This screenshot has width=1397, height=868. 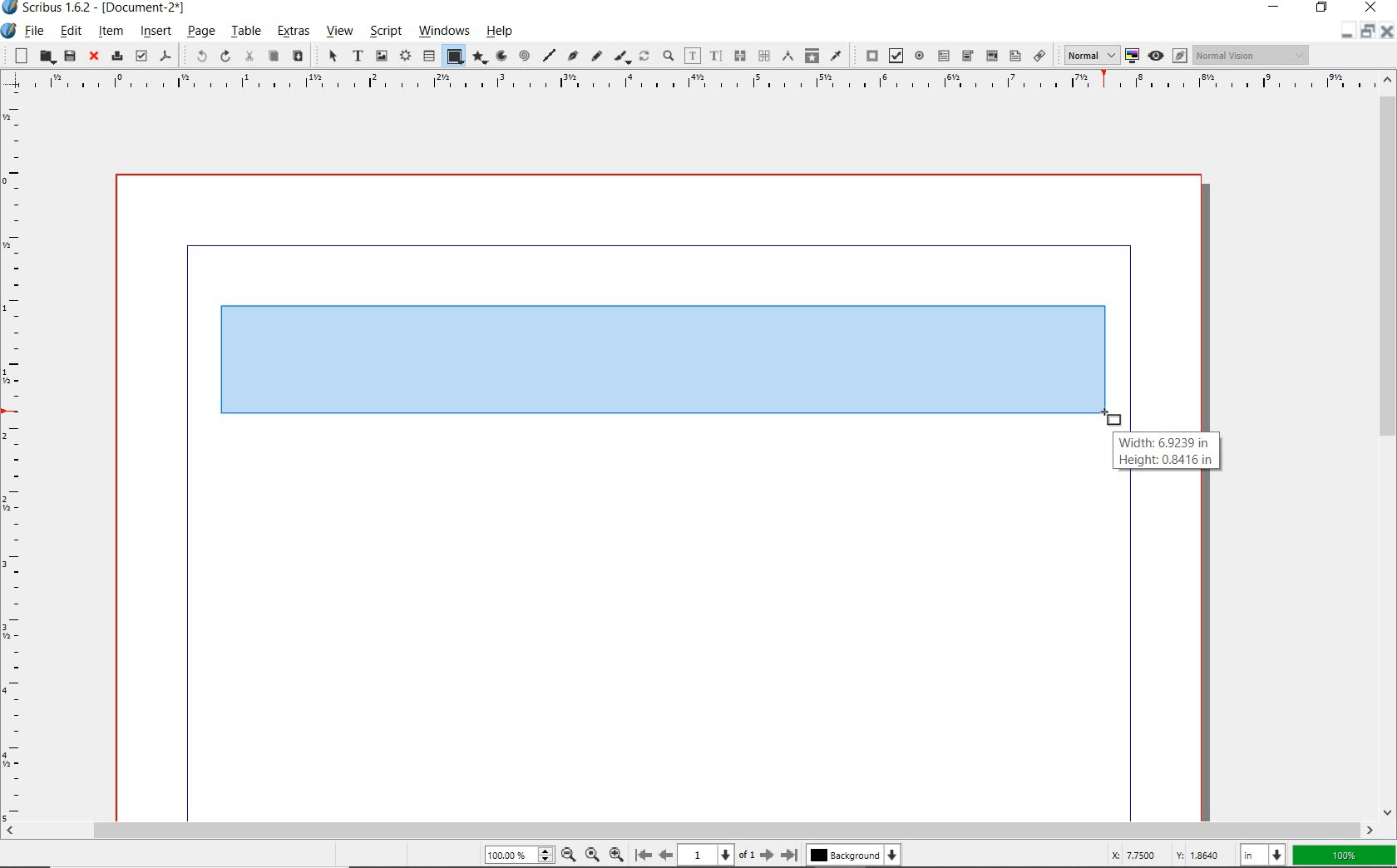 I want to click on line, so click(x=550, y=55).